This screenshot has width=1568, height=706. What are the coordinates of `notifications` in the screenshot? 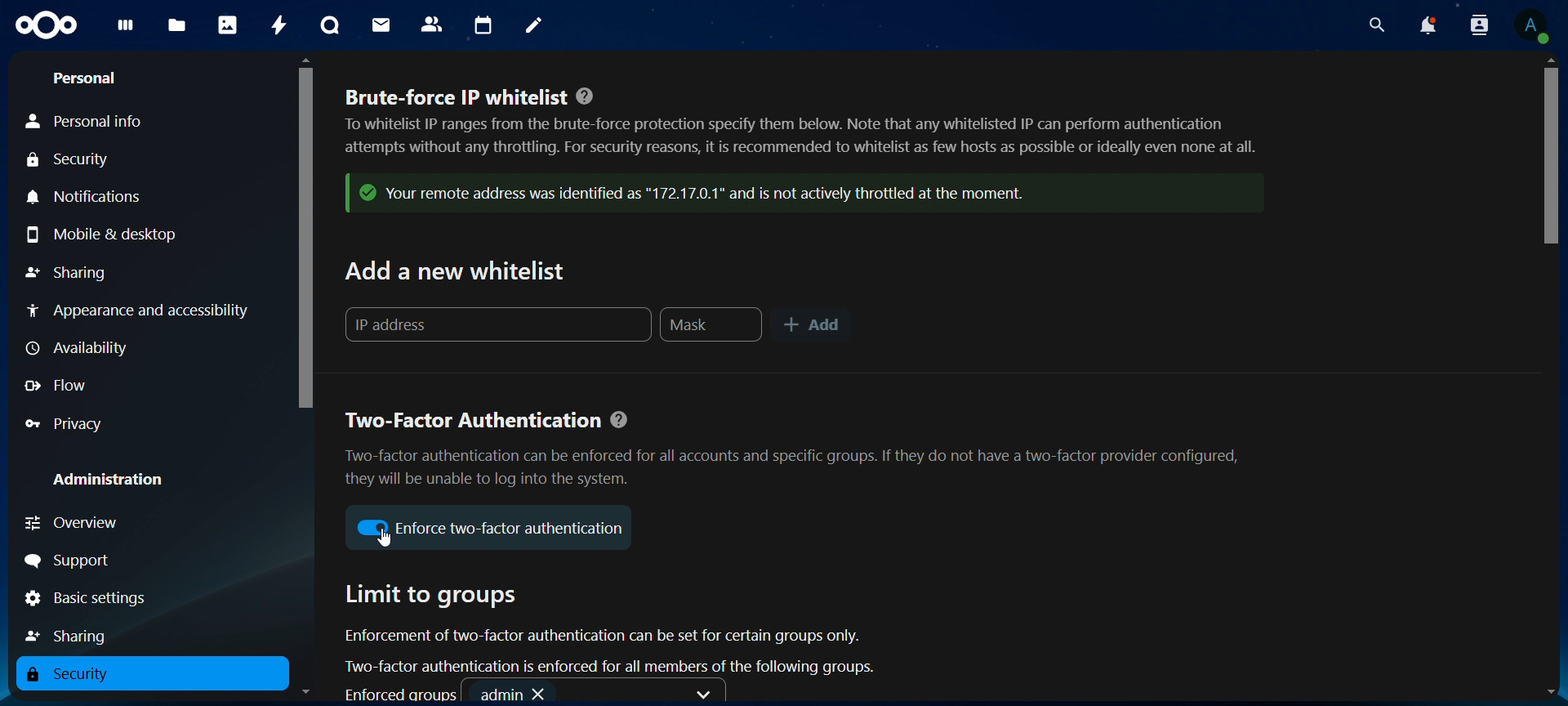 It's located at (96, 198).